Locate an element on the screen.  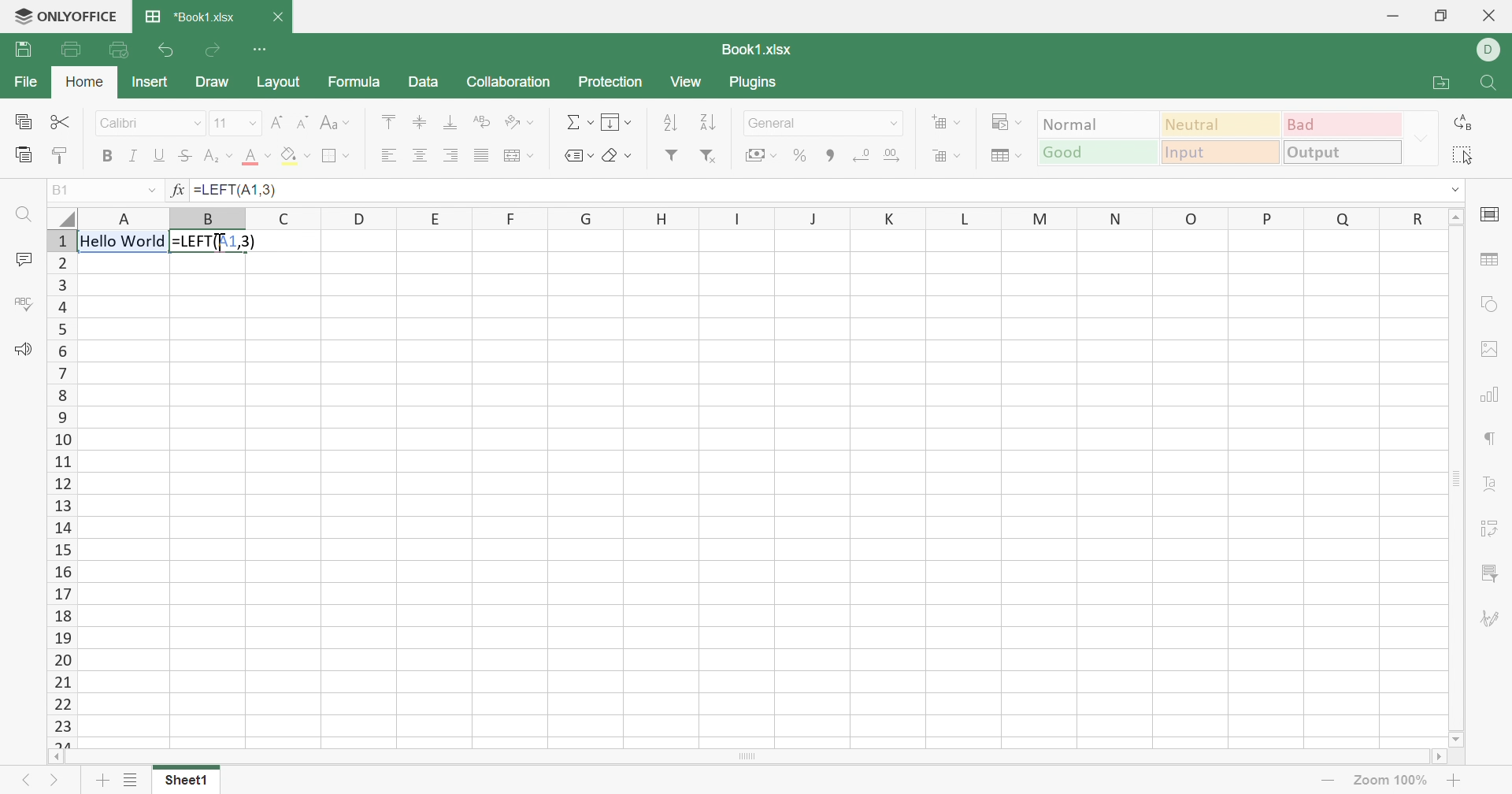
Table settings is located at coordinates (1492, 262).